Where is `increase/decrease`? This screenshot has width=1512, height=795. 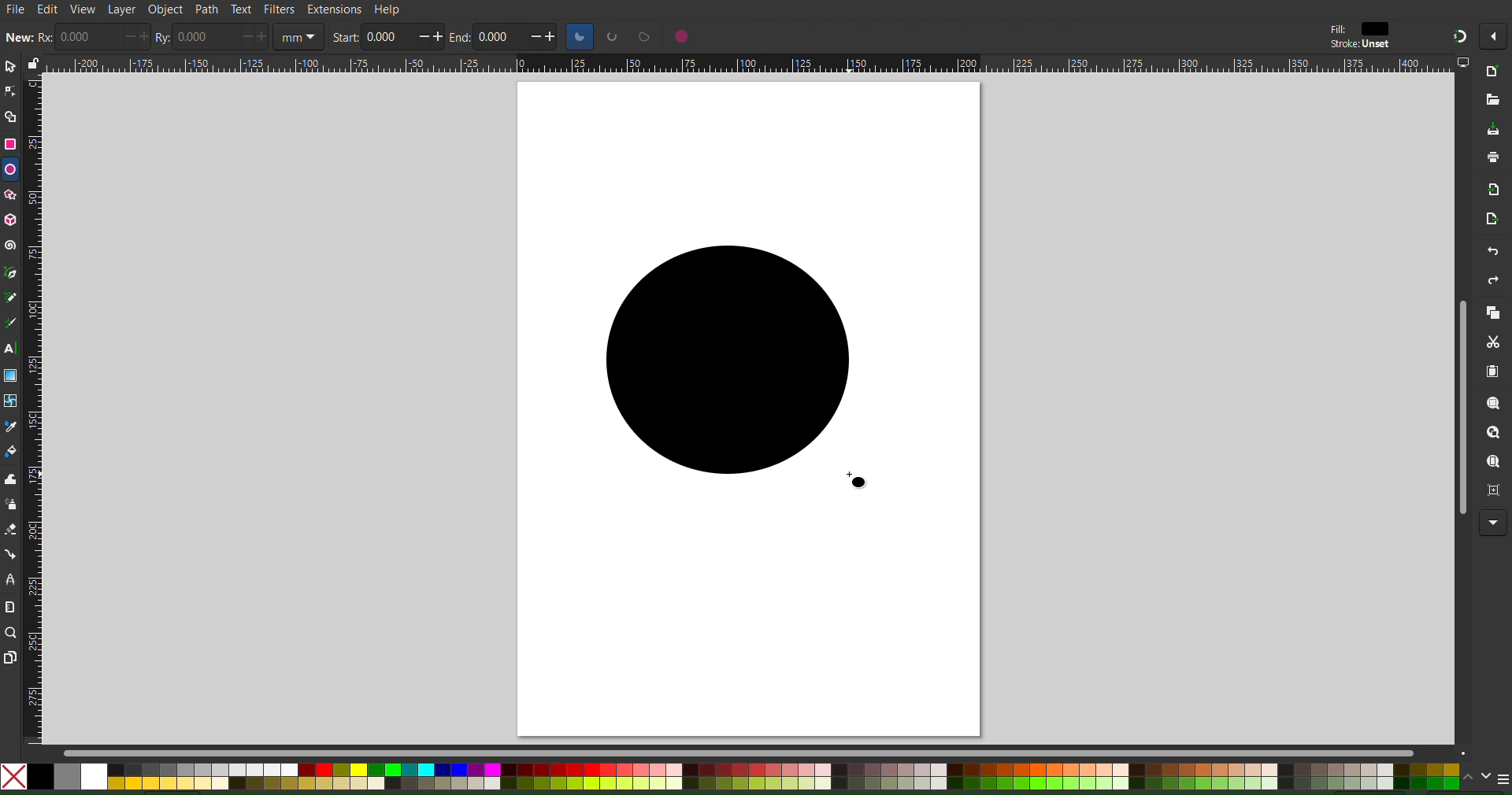
increase/decrease is located at coordinates (543, 36).